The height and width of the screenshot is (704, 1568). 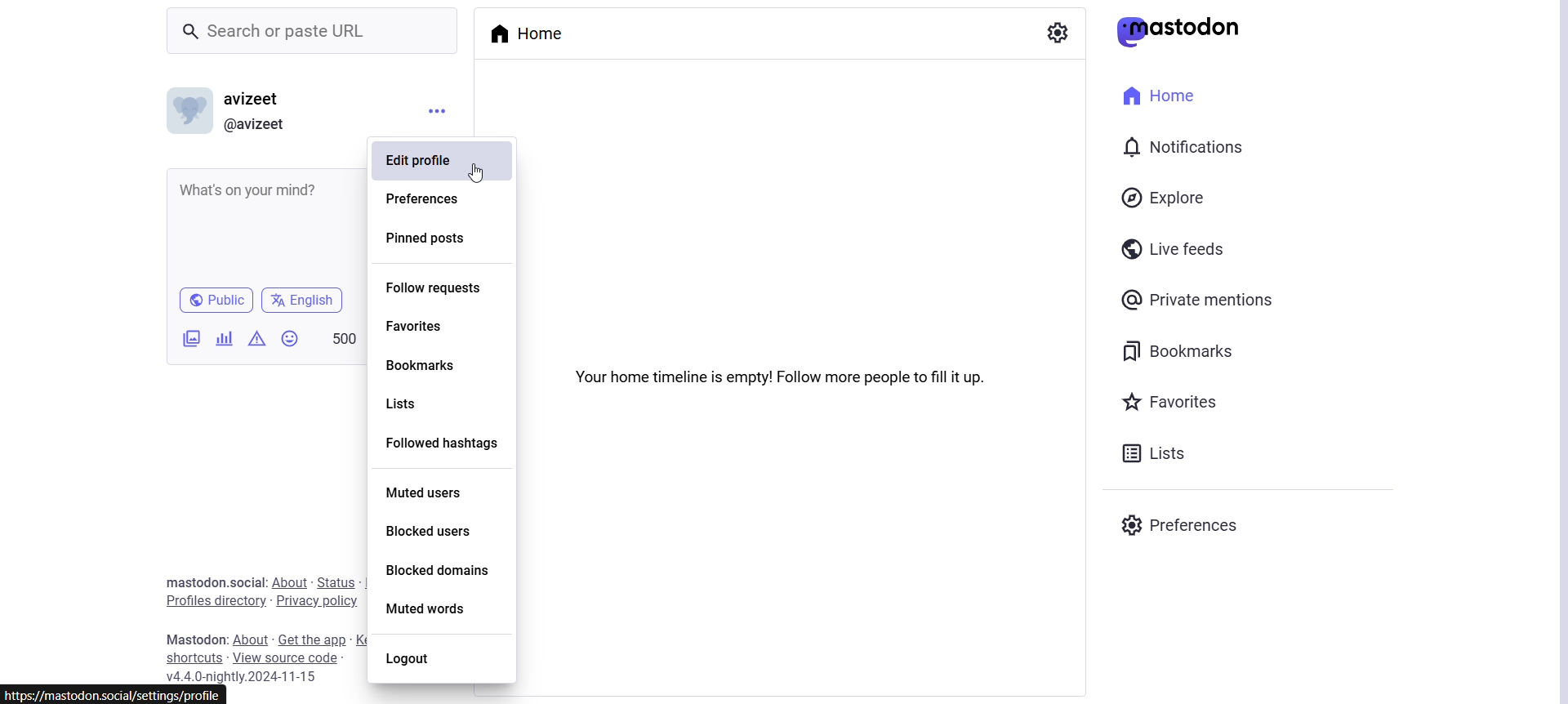 What do you see at coordinates (261, 226) in the screenshot?
I see `Whats on your Mind` at bounding box center [261, 226].